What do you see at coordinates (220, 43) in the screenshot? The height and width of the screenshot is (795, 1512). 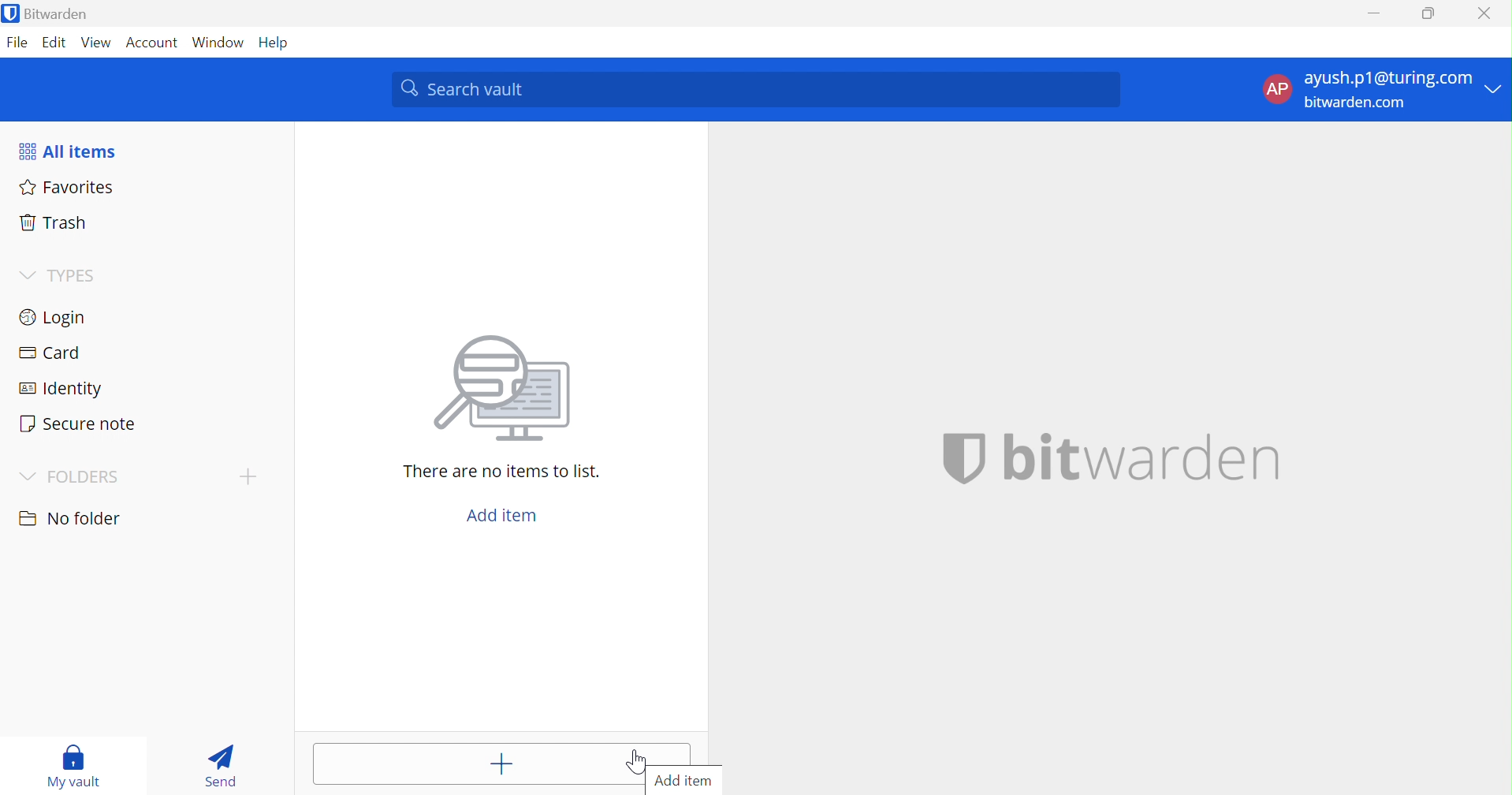 I see `Windows` at bounding box center [220, 43].